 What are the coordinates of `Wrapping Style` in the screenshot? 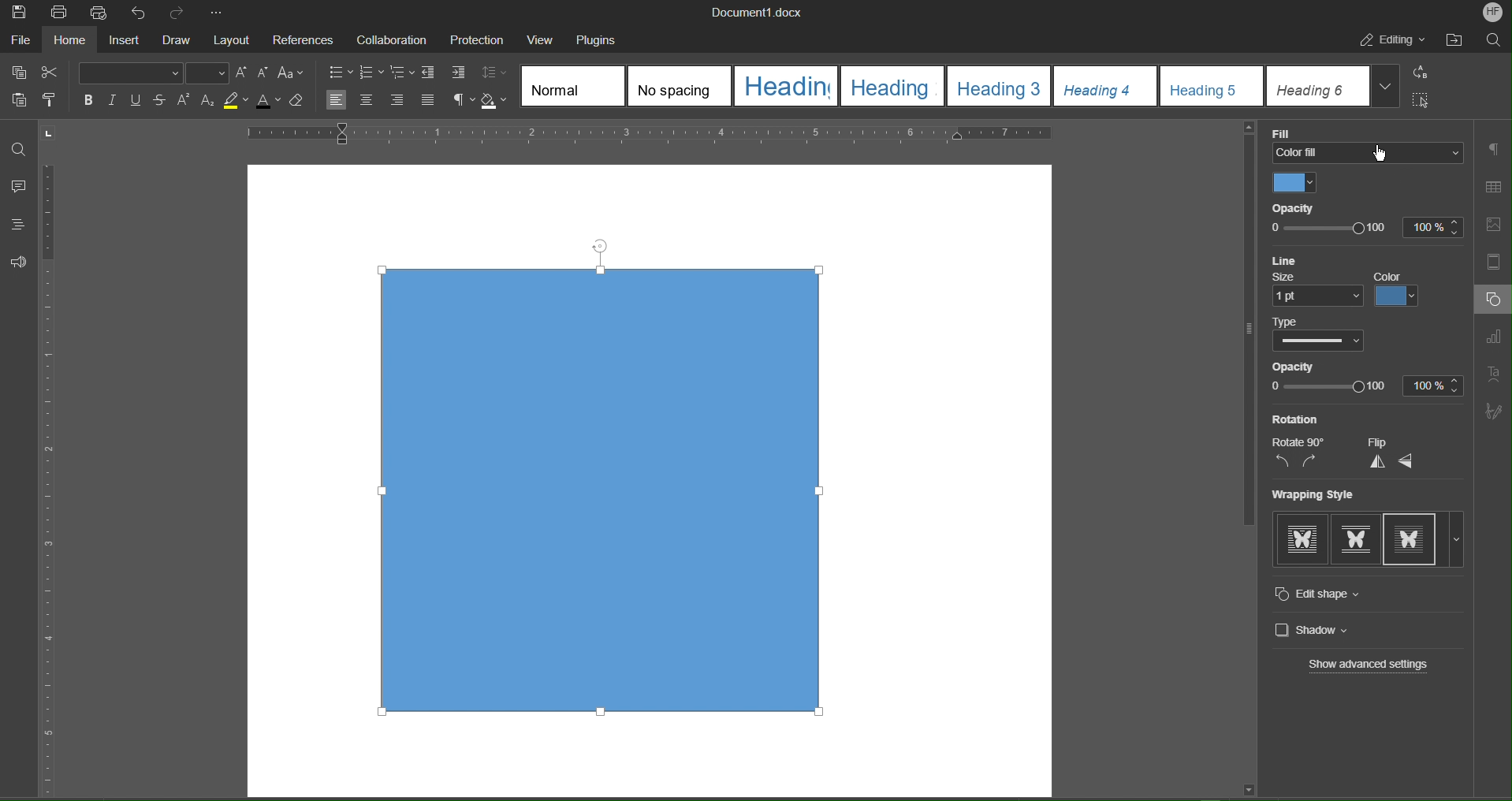 It's located at (1313, 494).